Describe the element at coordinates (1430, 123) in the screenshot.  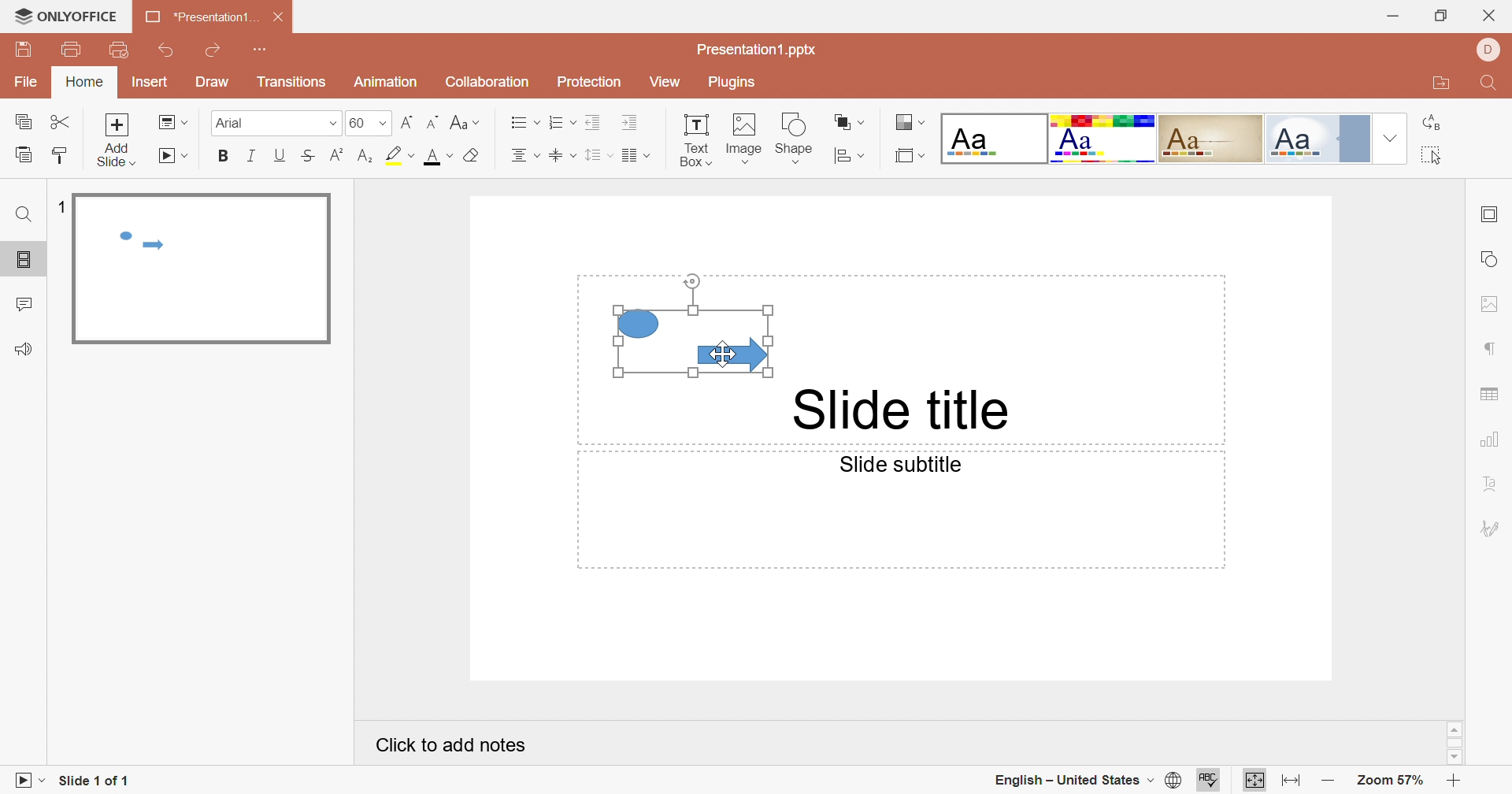
I see `Replace` at that location.